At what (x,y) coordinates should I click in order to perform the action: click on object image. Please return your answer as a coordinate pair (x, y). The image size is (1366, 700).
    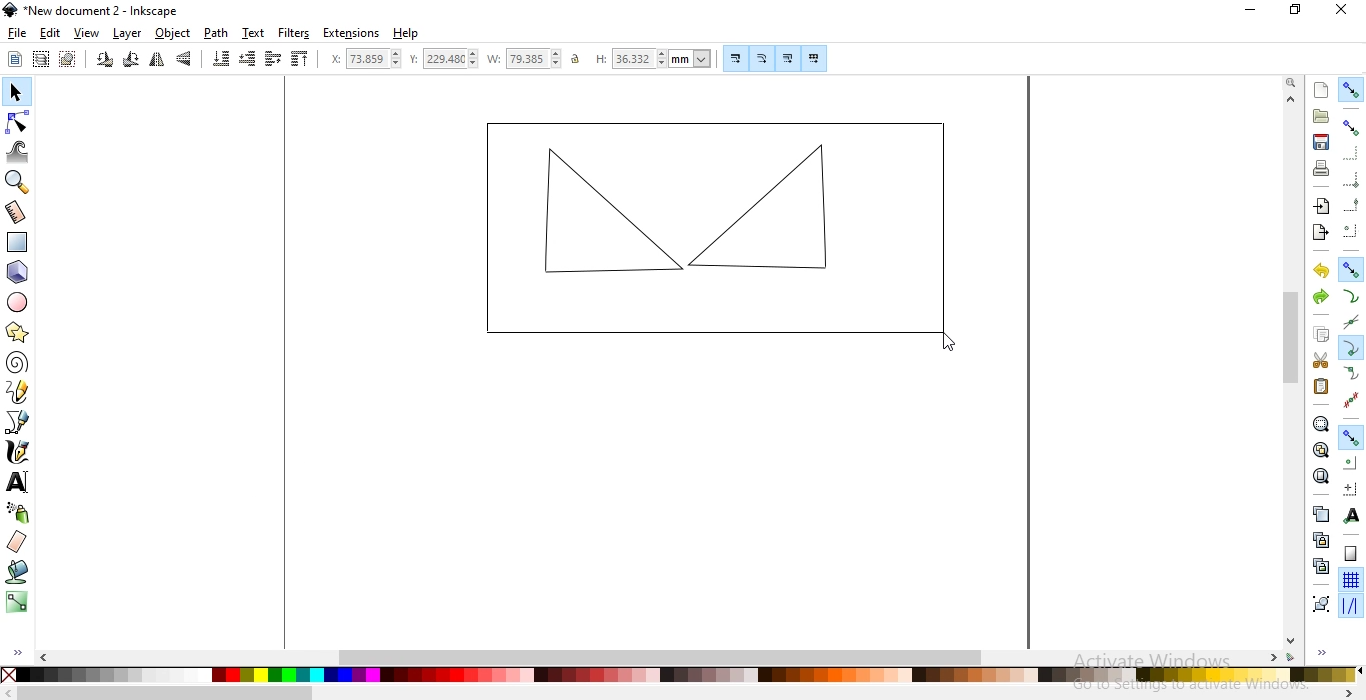
    Looking at the image, I should click on (710, 228).